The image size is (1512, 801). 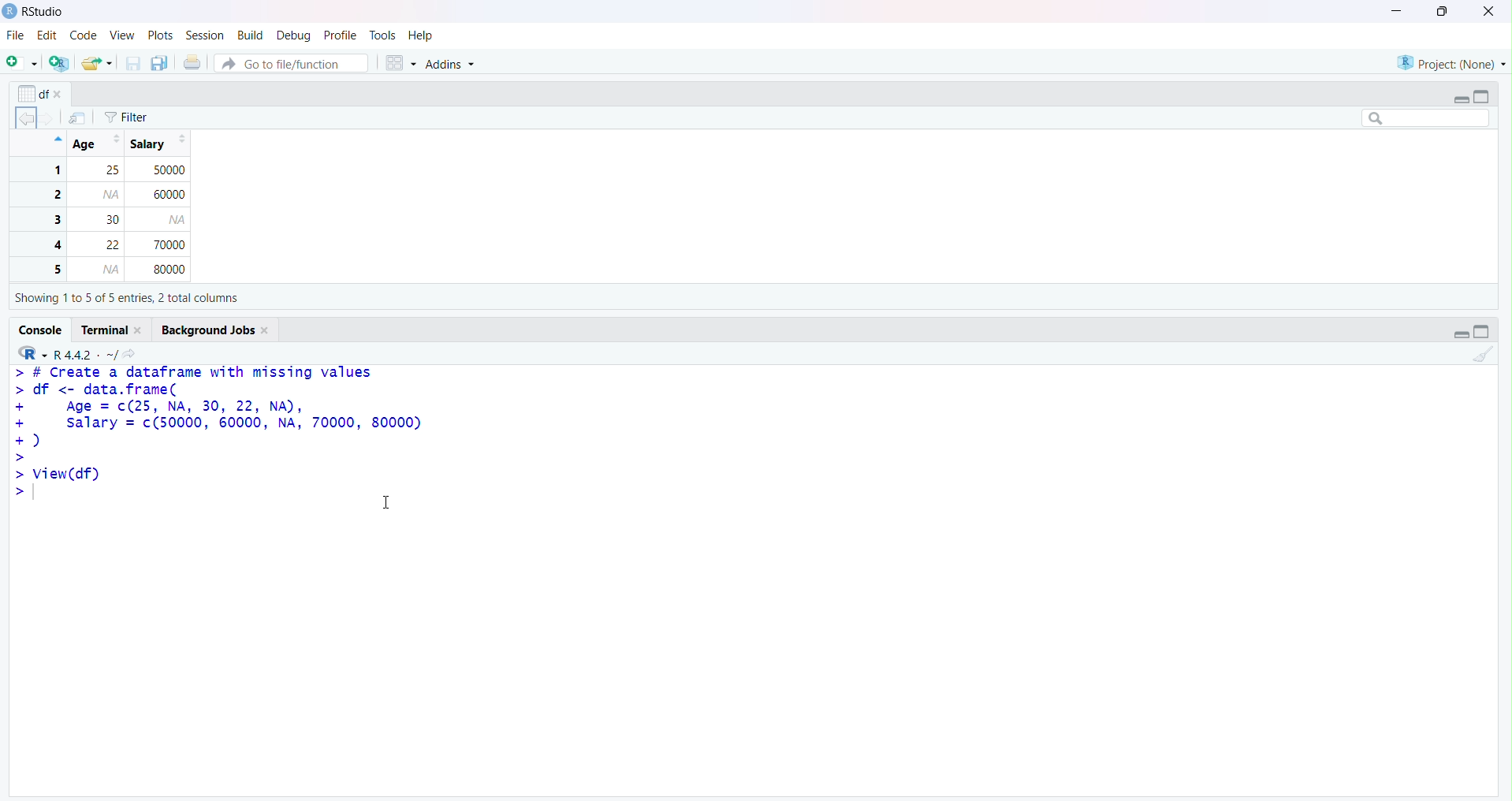 I want to click on Search bar, so click(x=1421, y=117).